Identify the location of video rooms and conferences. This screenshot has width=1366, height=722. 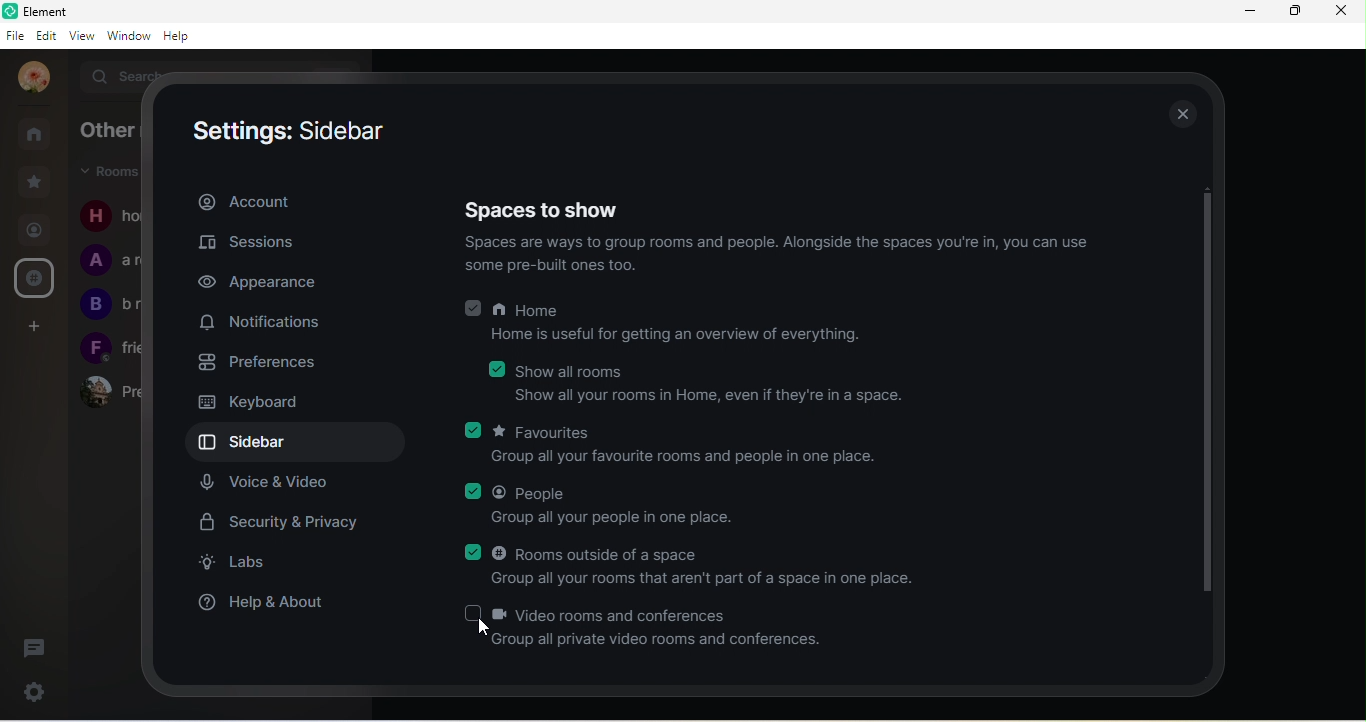
(647, 626).